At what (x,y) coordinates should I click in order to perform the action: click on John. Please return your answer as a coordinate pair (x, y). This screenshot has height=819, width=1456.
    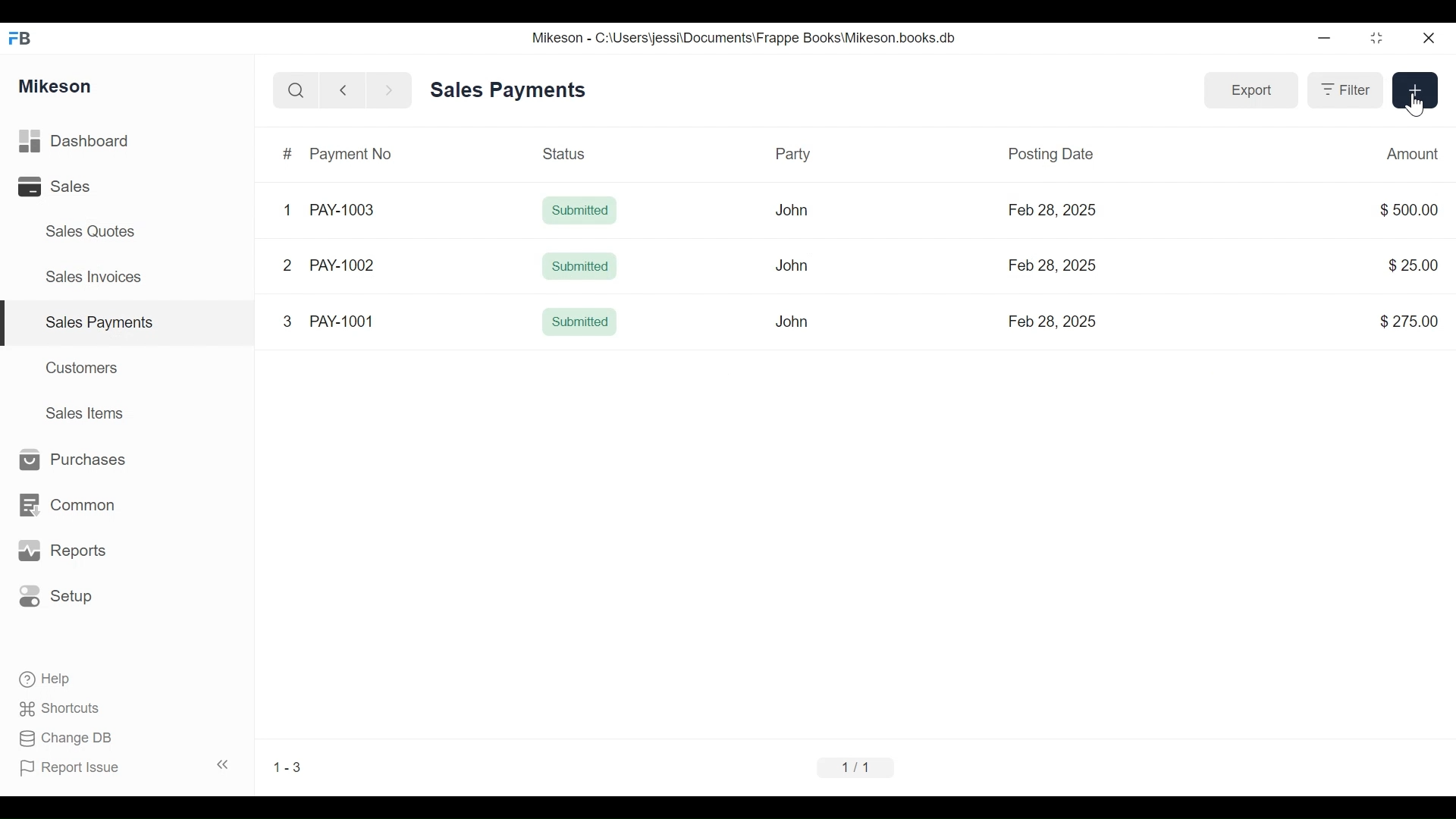
    Looking at the image, I should click on (792, 321).